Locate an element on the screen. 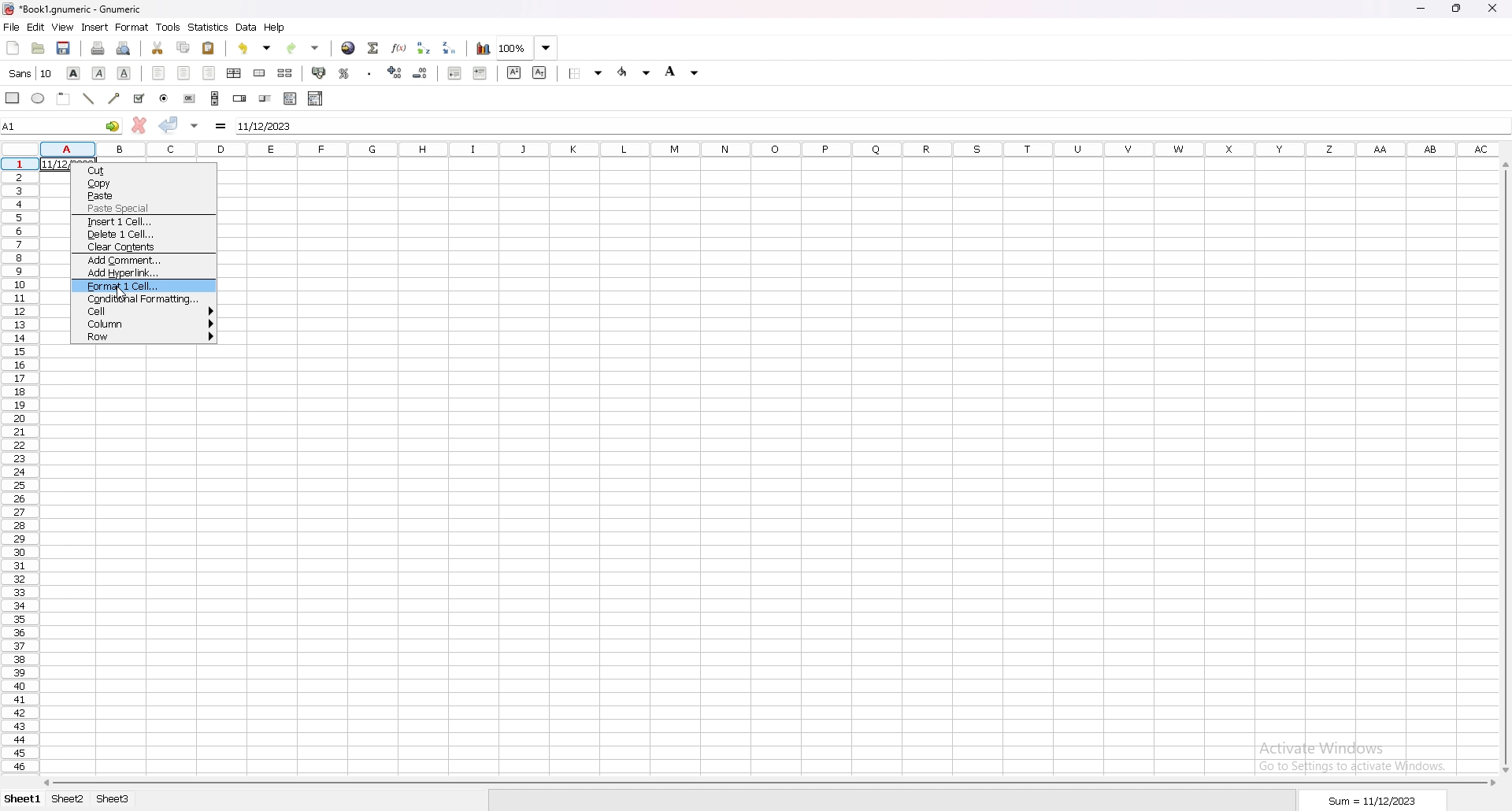 The image size is (1512, 811). undo is located at coordinates (255, 48).